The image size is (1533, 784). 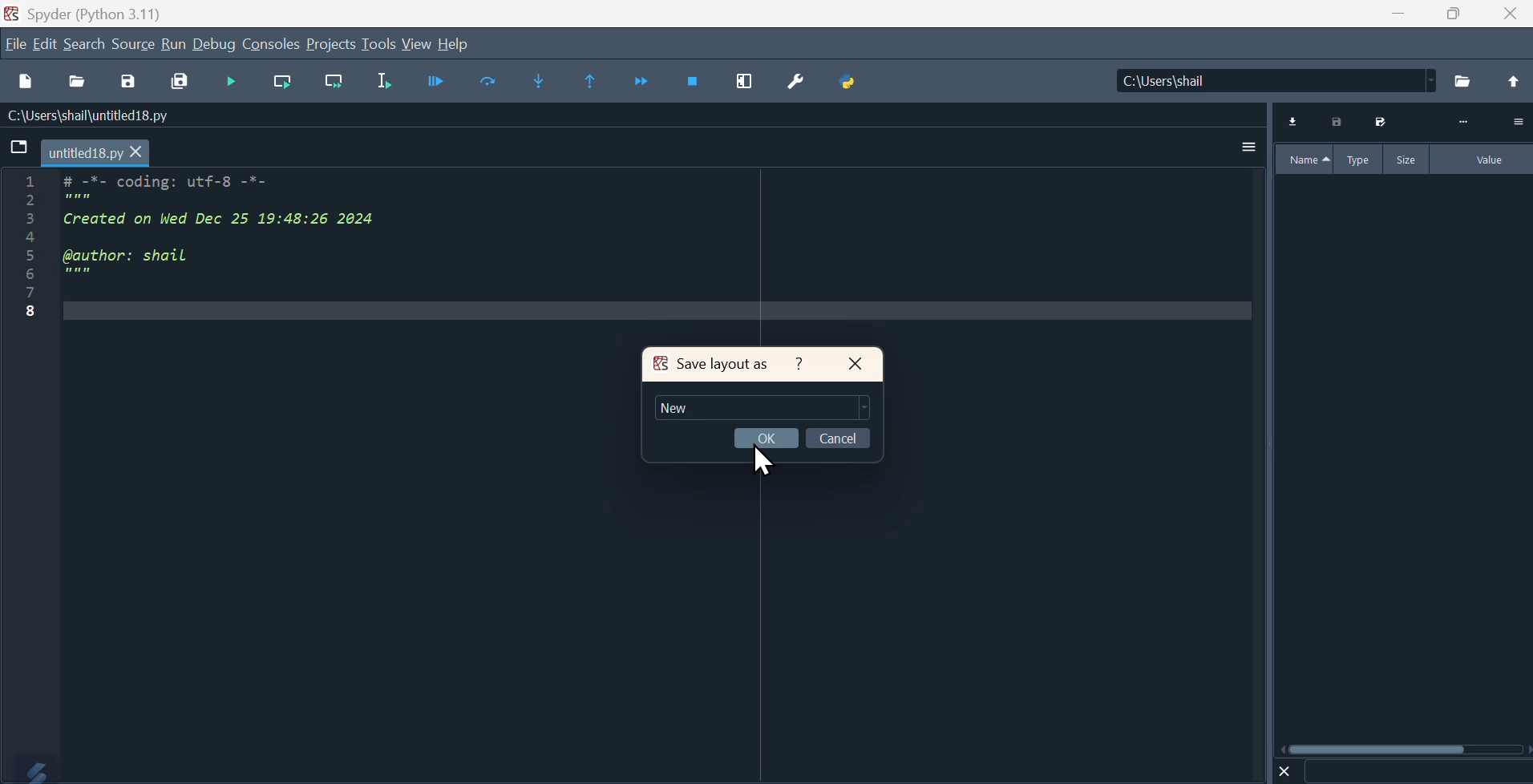 What do you see at coordinates (1285, 770) in the screenshot?
I see `Close` at bounding box center [1285, 770].